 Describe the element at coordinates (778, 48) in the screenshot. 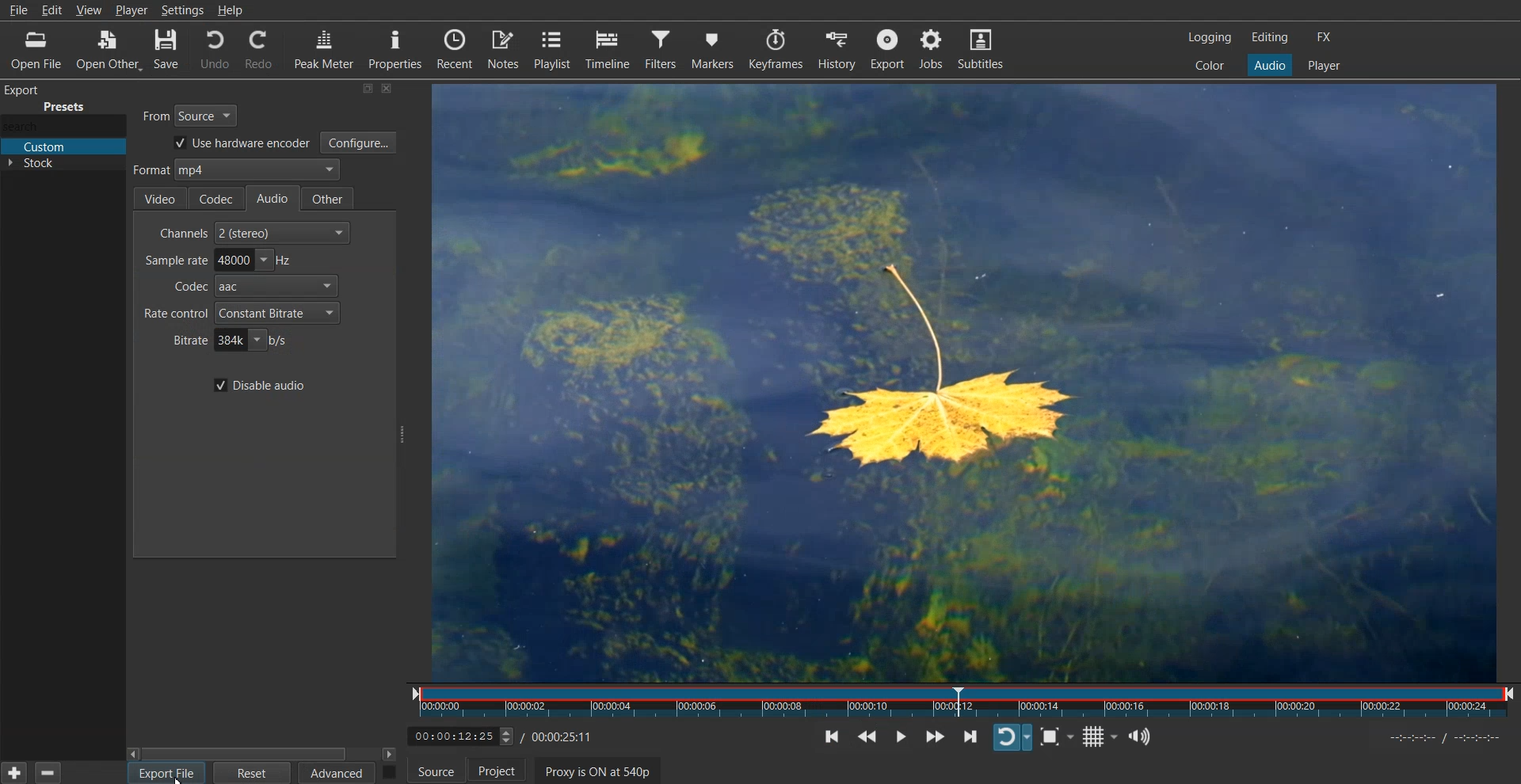

I see `Keyframes` at that location.